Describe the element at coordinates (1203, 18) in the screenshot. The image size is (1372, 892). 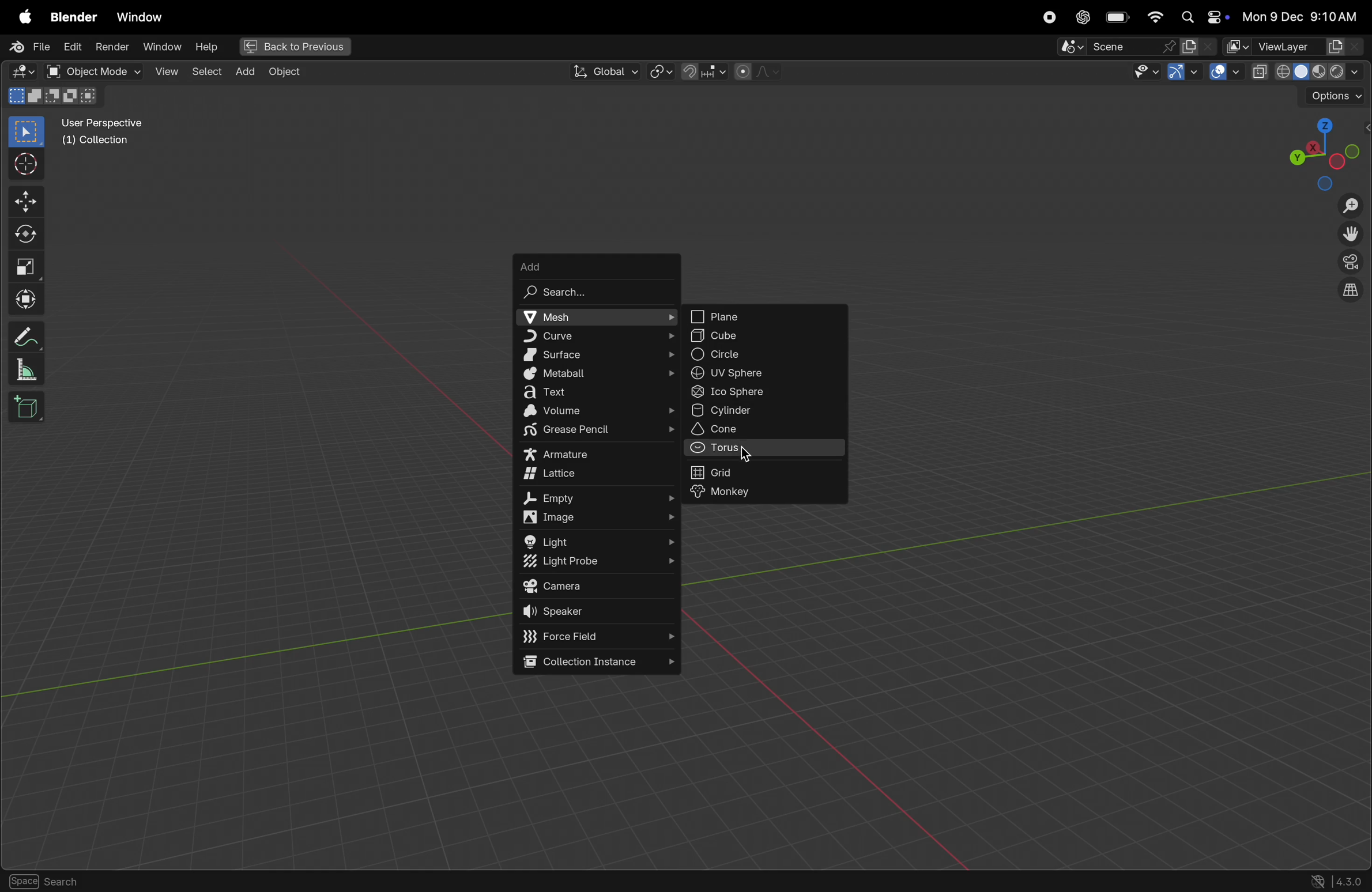
I see `apple widgets` at that location.